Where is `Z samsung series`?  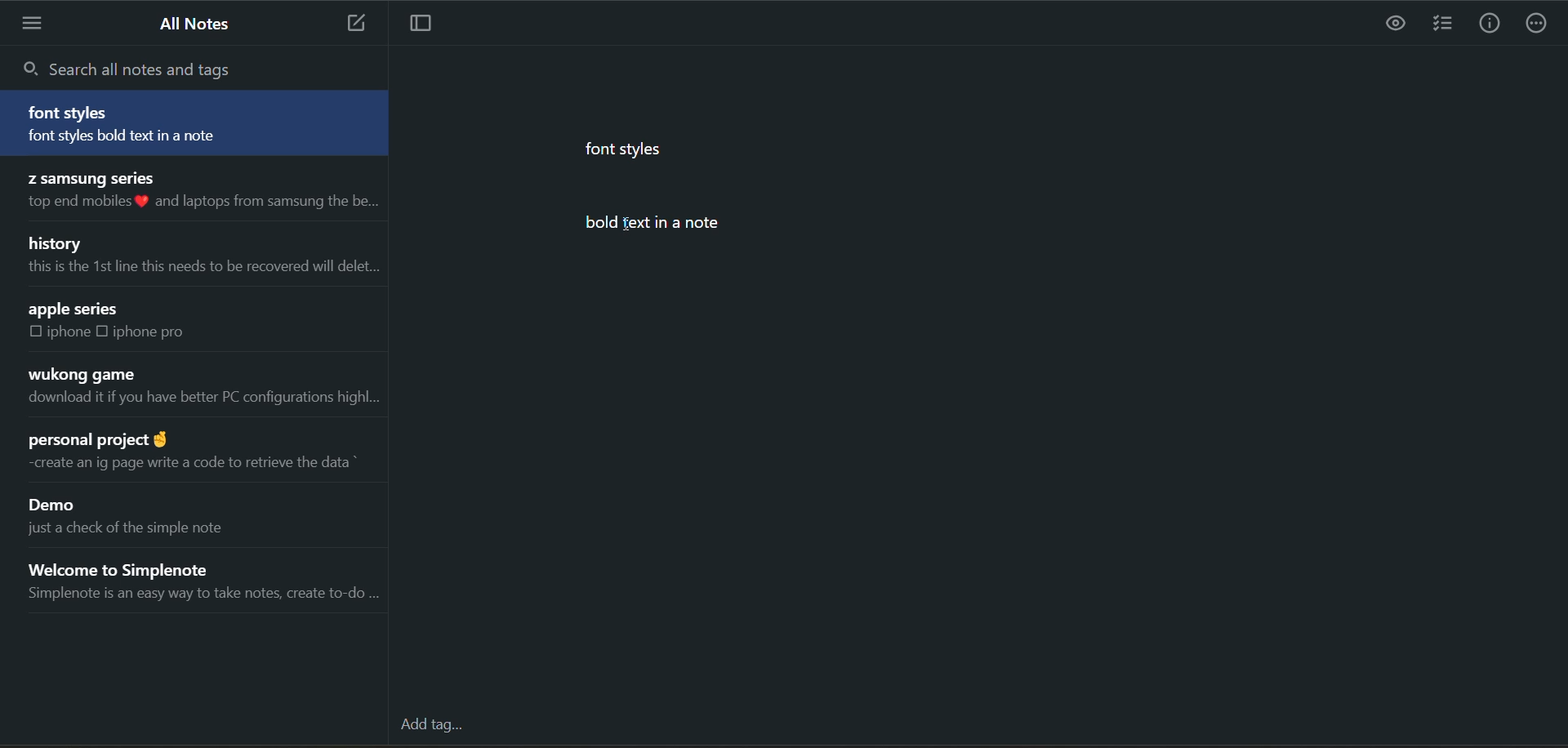 Z samsung series is located at coordinates (89, 176).